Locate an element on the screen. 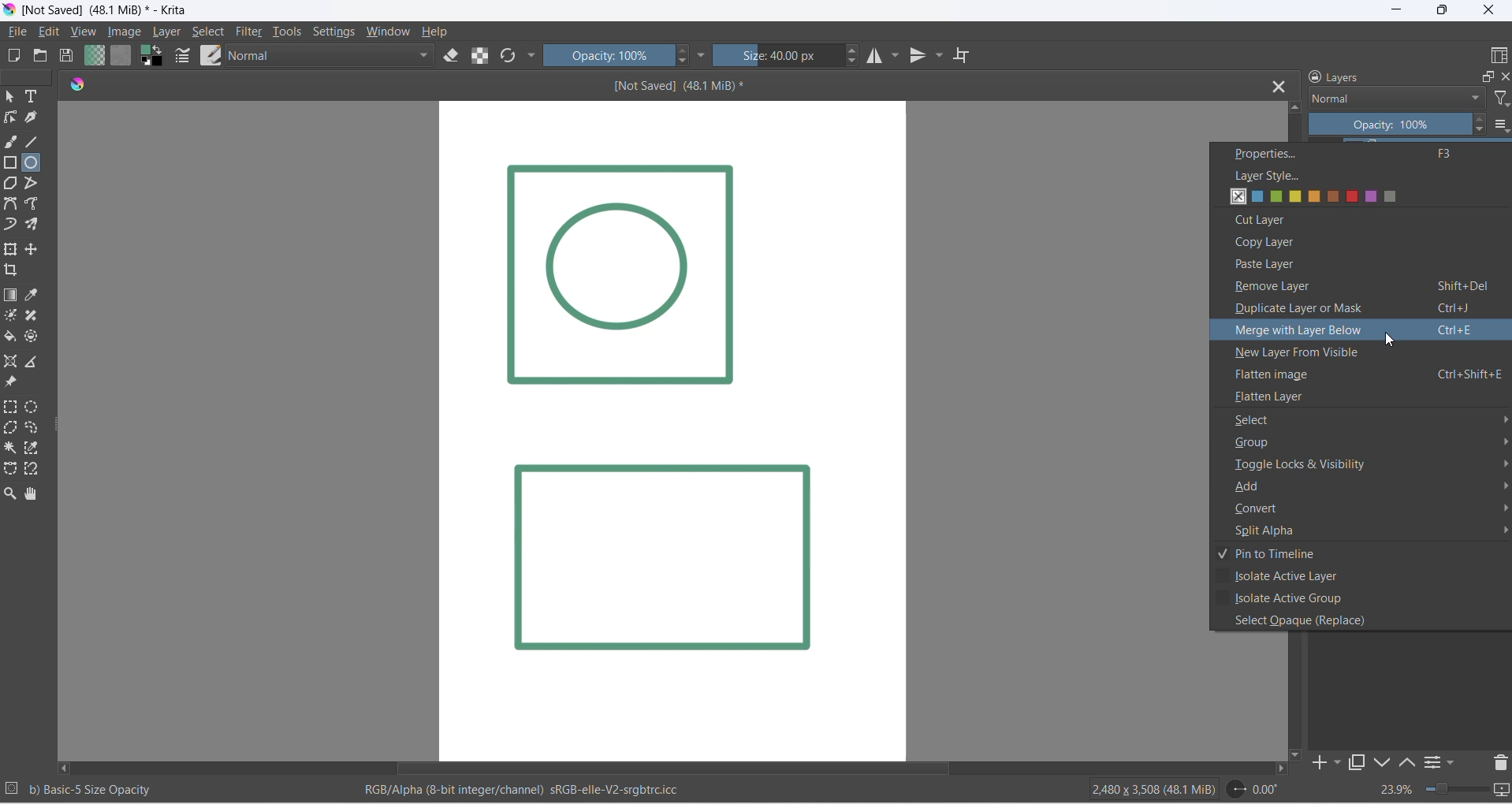  preserve alpha is located at coordinates (482, 56).